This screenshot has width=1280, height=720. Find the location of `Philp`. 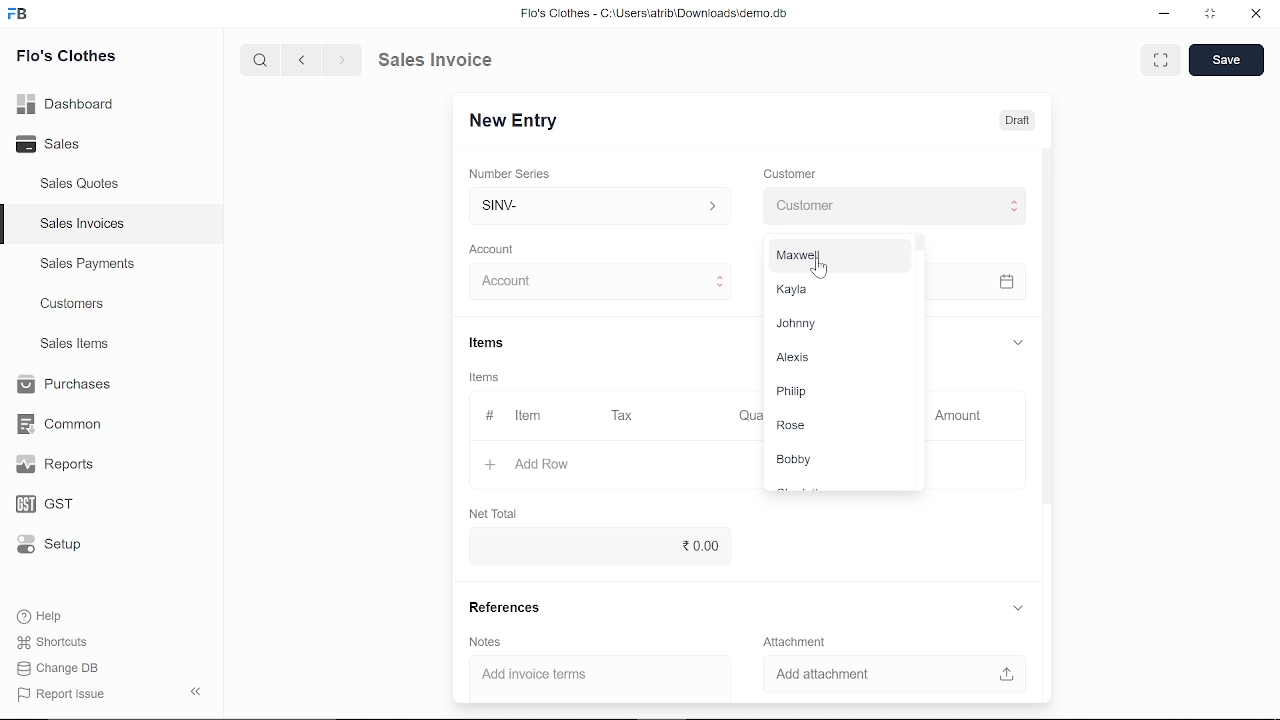

Philp is located at coordinates (827, 391).